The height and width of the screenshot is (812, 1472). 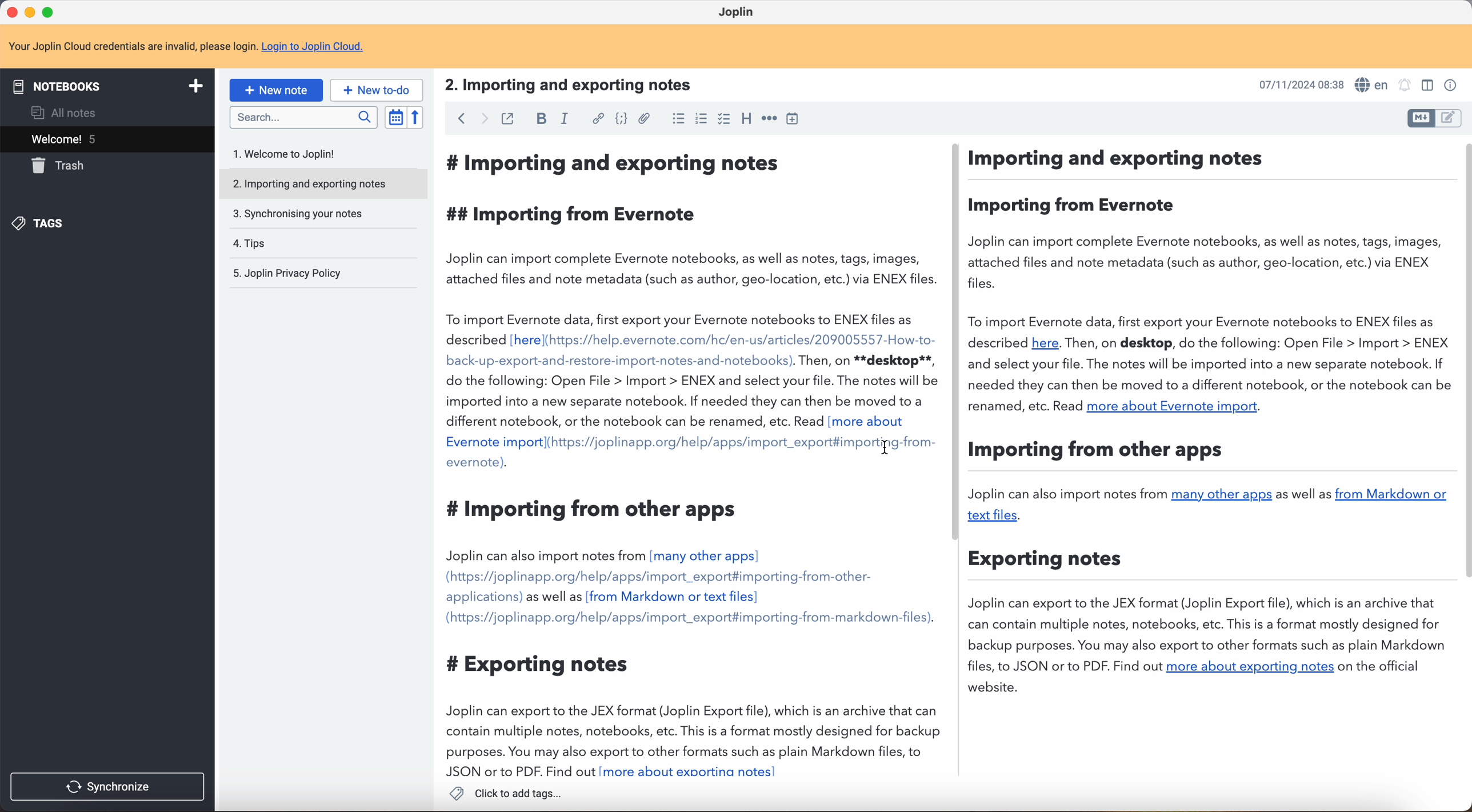 What do you see at coordinates (378, 90) in the screenshot?
I see `new to-do` at bounding box center [378, 90].